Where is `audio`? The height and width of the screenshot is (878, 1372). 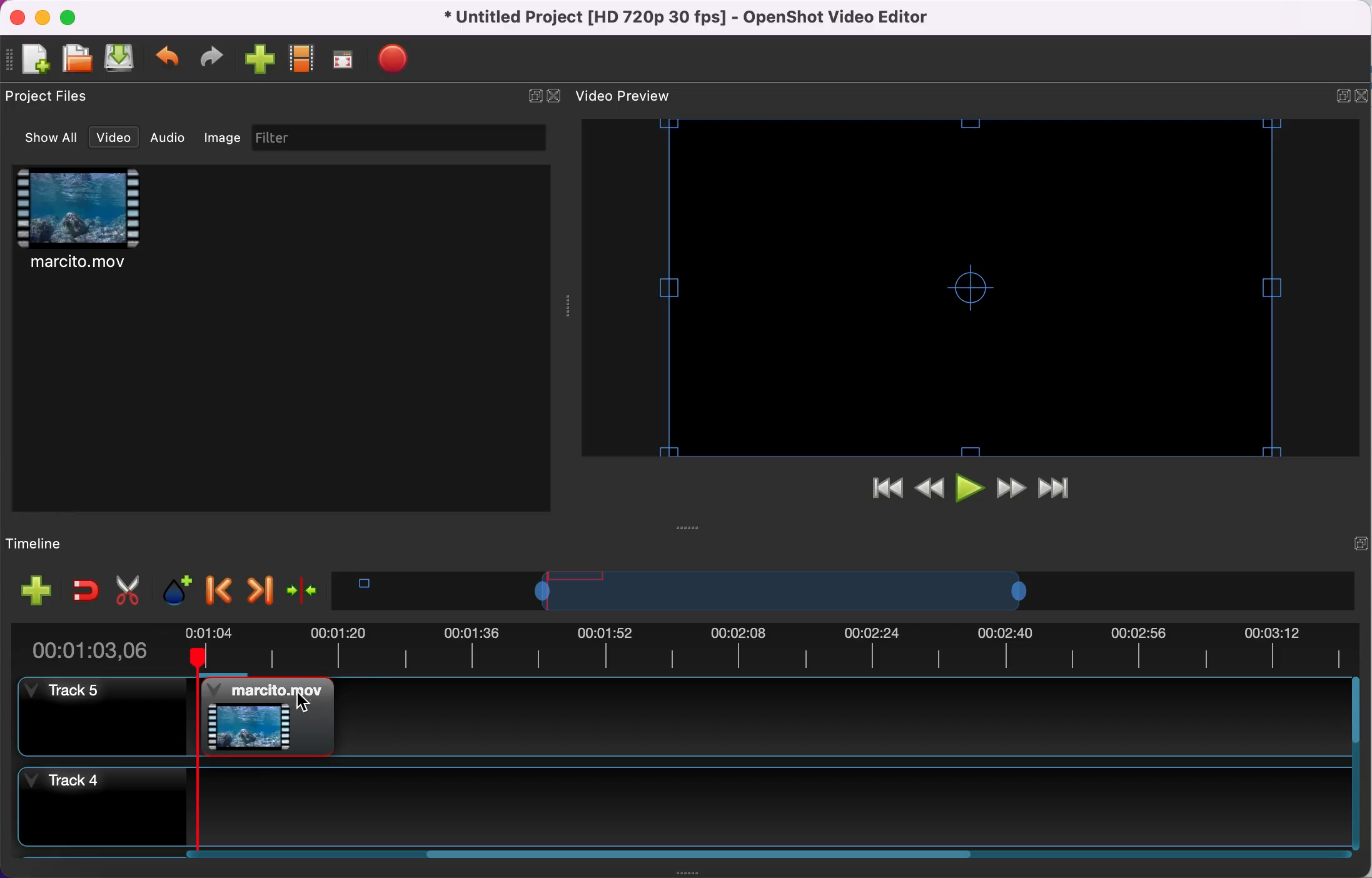
audio is located at coordinates (167, 136).